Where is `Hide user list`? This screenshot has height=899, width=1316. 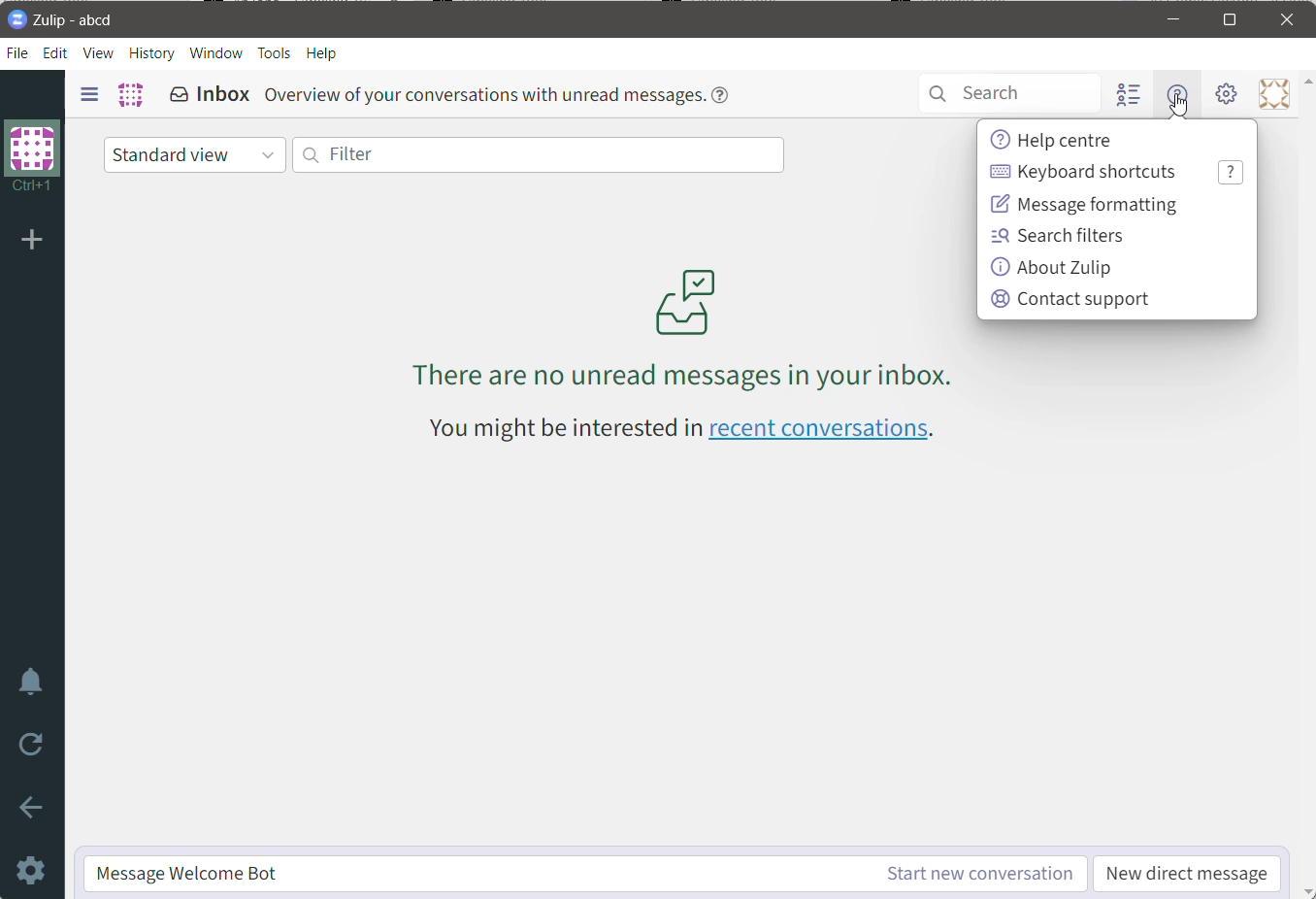
Hide user list is located at coordinates (1131, 94).